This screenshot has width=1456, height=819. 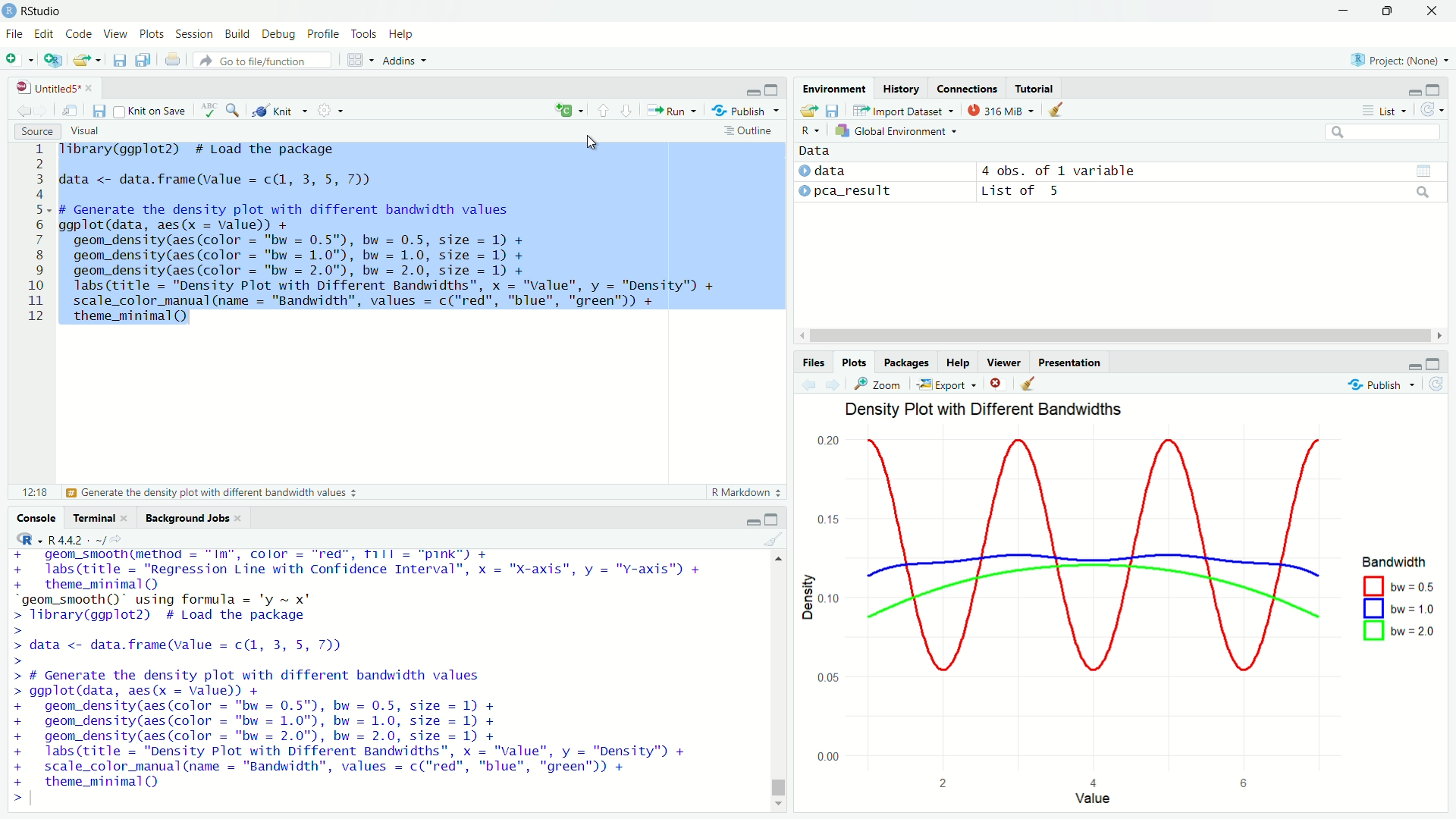 What do you see at coordinates (626, 109) in the screenshot?
I see `Go to next section/chunk` at bounding box center [626, 109].